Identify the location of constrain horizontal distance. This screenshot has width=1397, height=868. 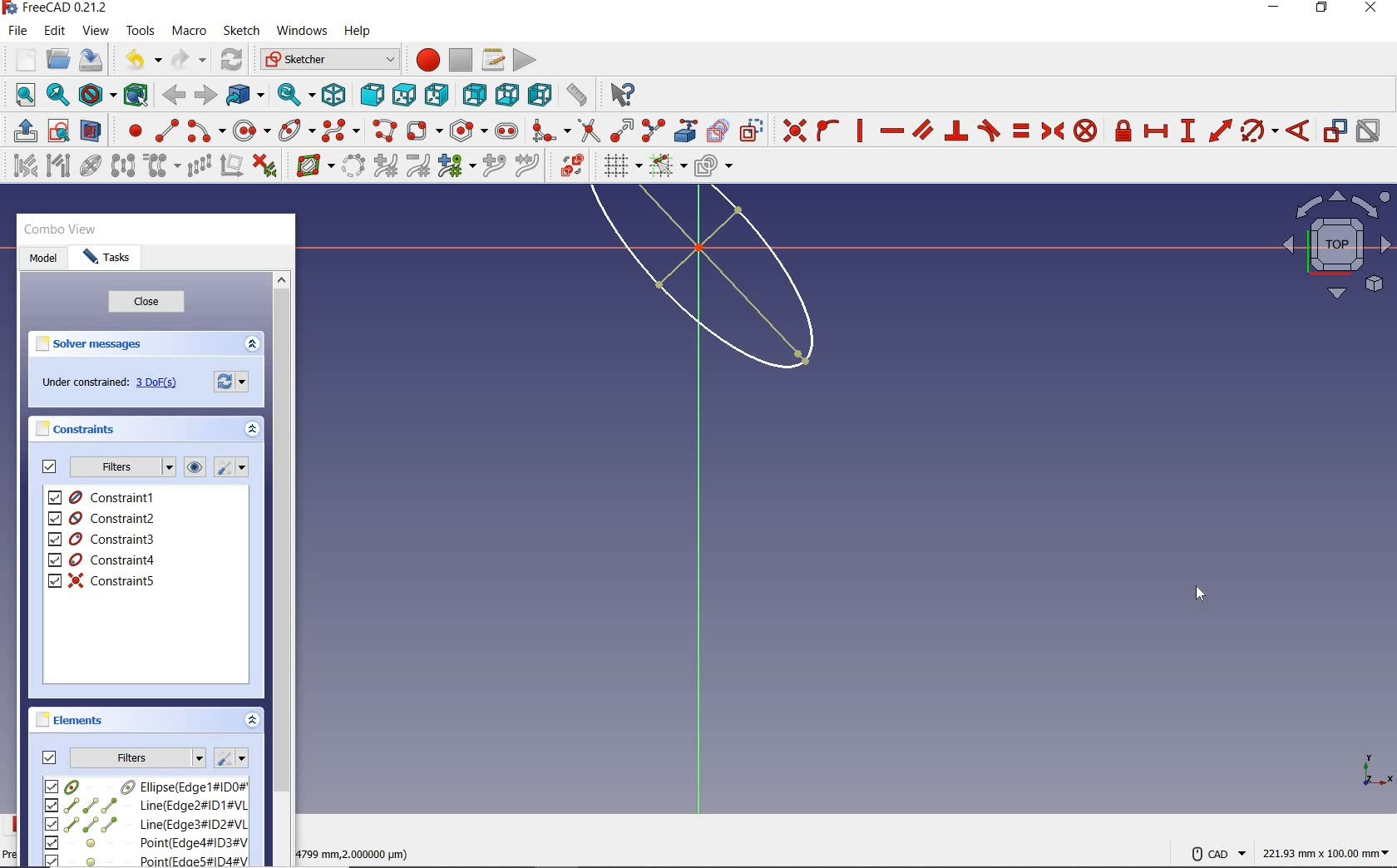
(1155, 130).